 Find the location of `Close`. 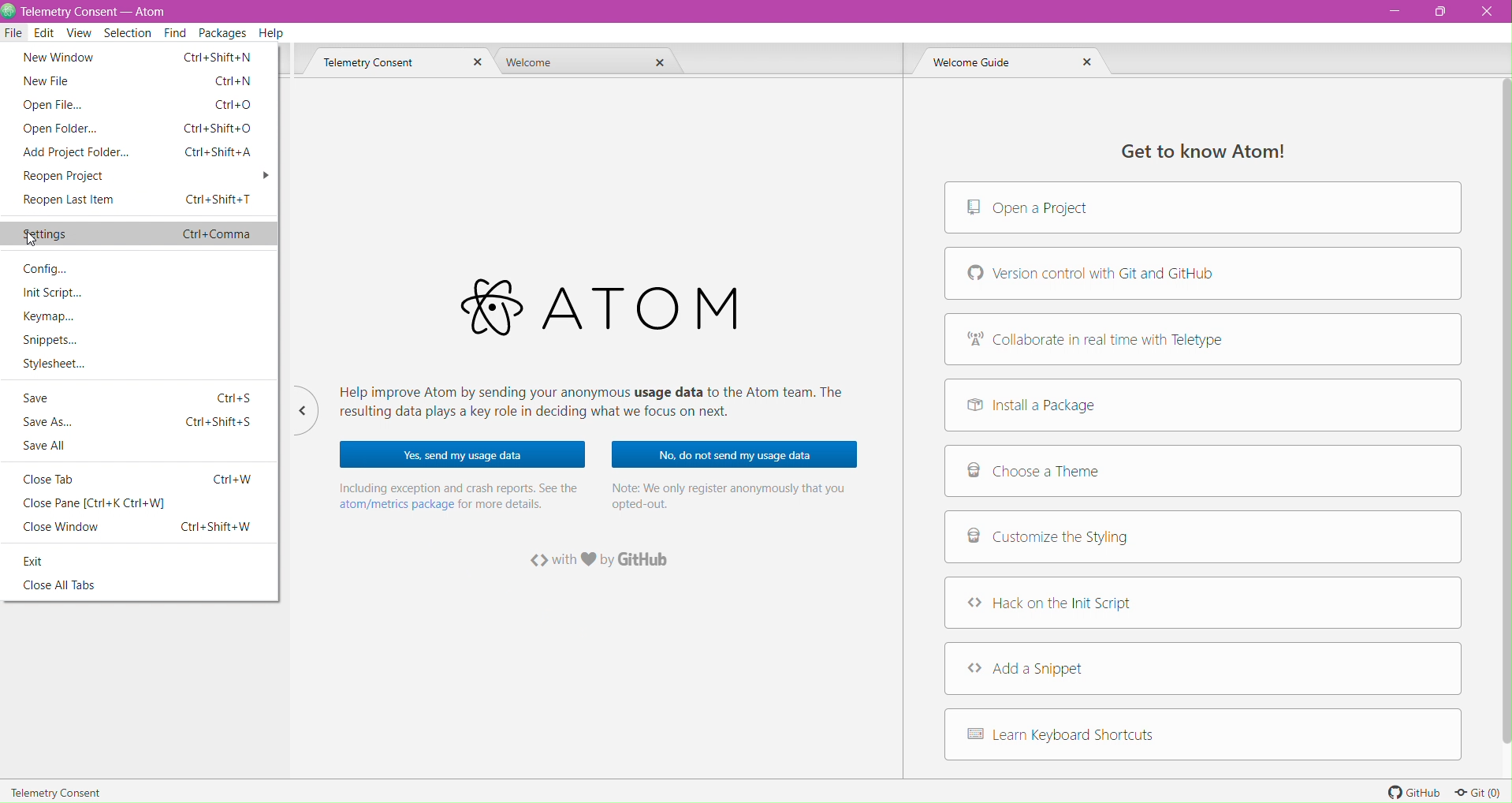

Close is located at coordinates (661, 62).